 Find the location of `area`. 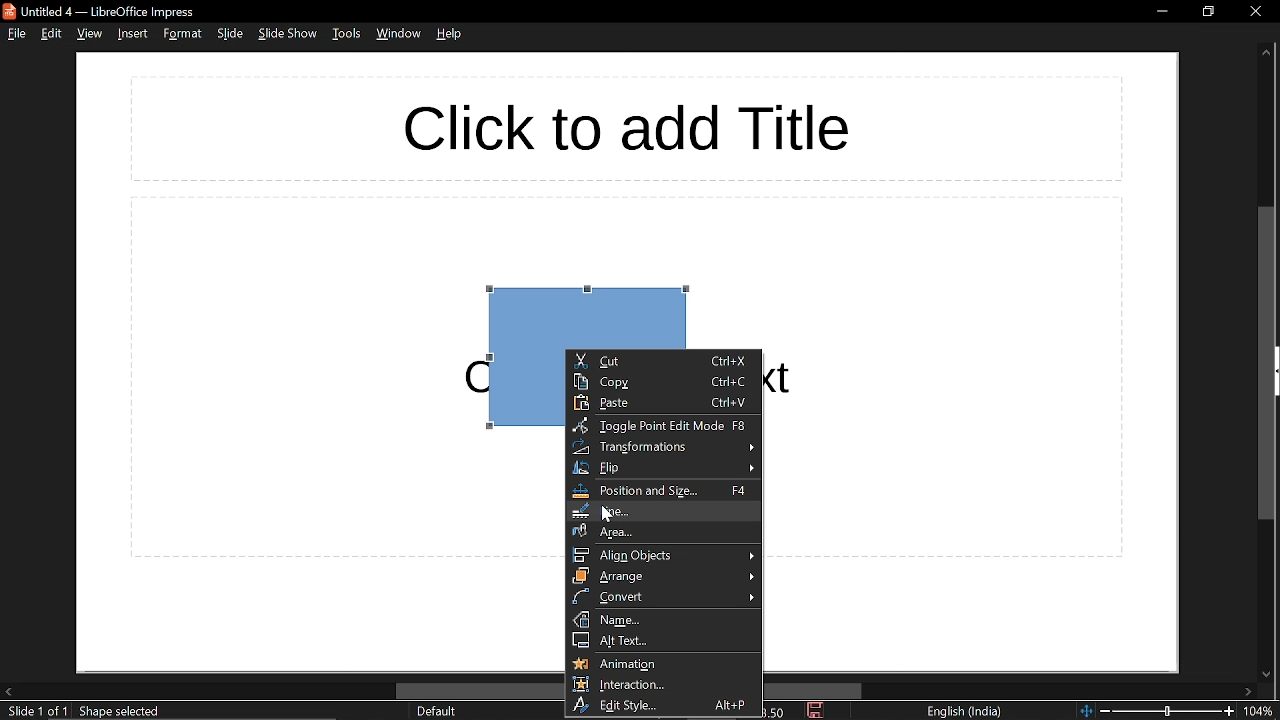

area is located at coordinates (664, 532).